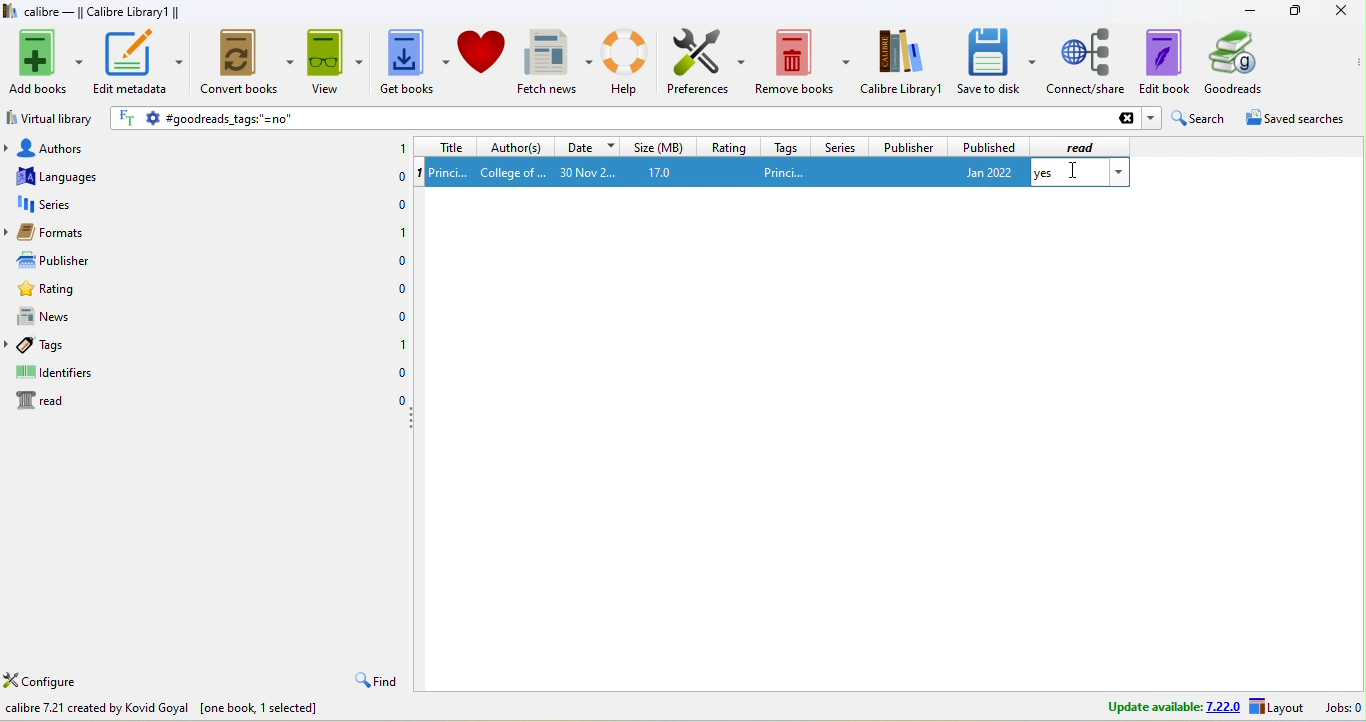 Image resolution: width=1366 pixels, height=722 pixels. What do you see at coordinates (1197, 118) in the screenshot?
I see `search` at bounding box center [1197, 118].